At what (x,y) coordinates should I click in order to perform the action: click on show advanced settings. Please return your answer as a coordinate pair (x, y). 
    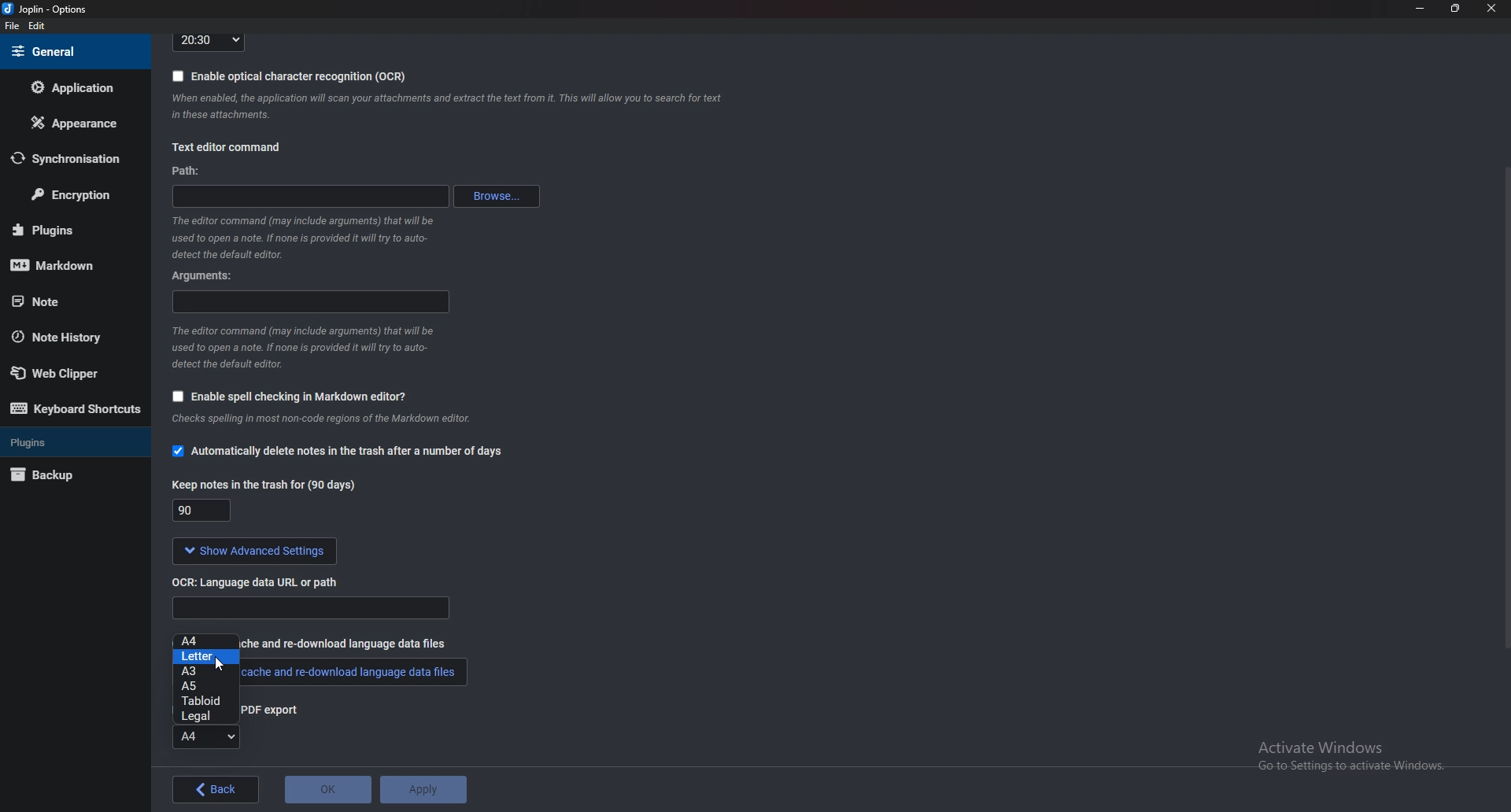
    Looking at the image, I should click on (251, 552).